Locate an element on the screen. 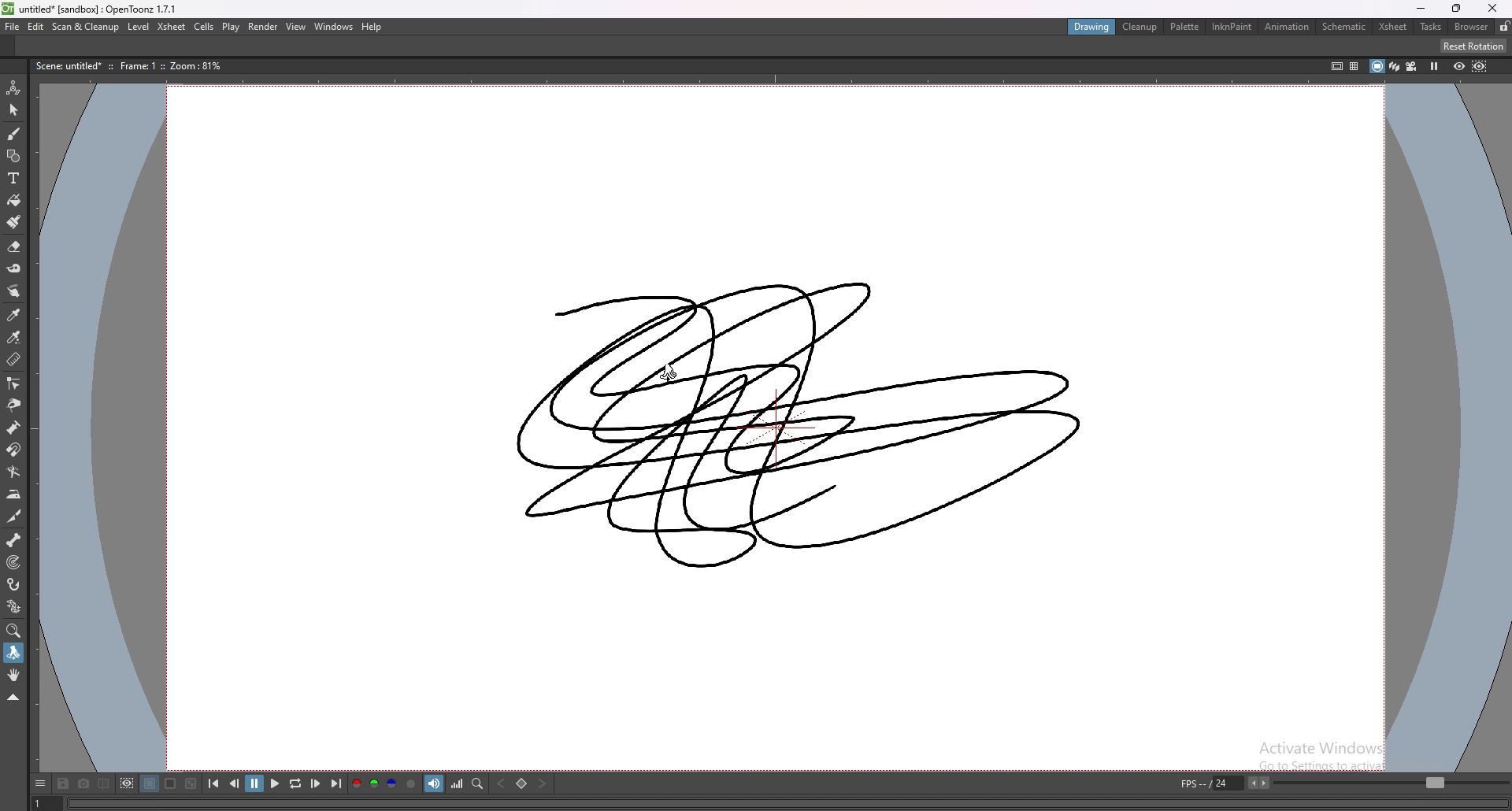 Image resolution: width=1512 pixels, height=811 pixels. cursor is located at coordinates (665, 375).